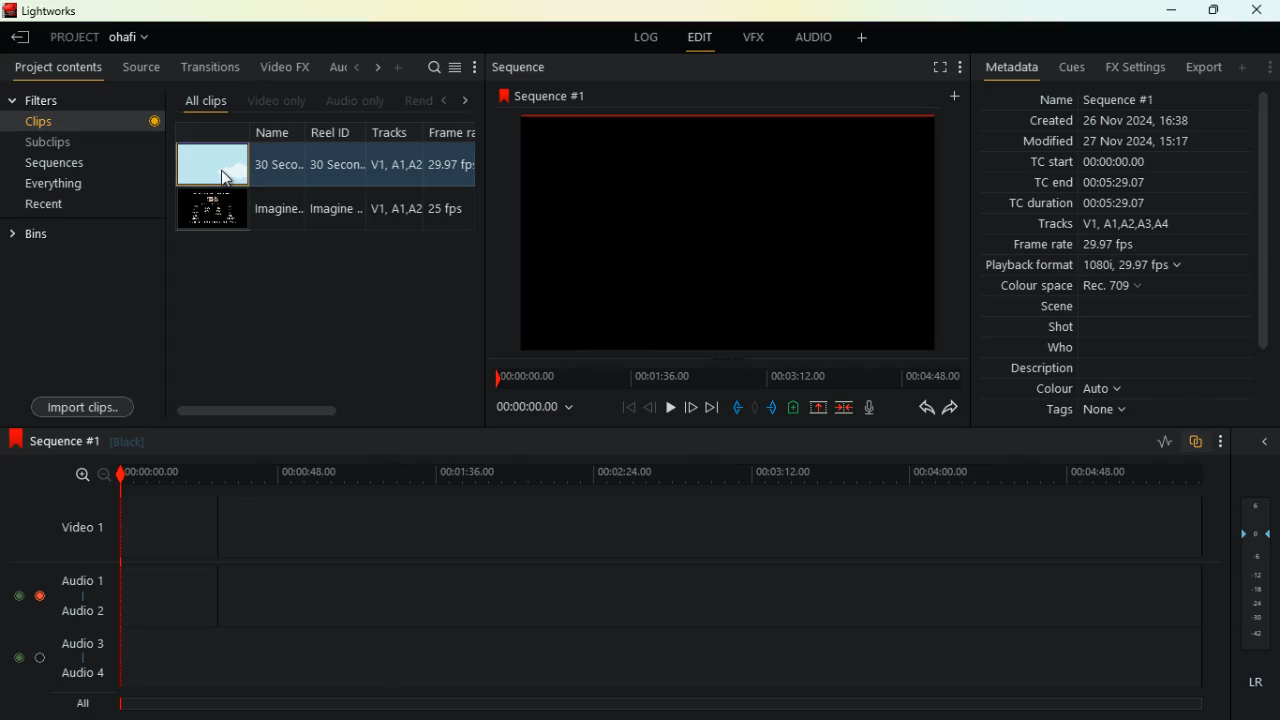  Describe the element at coordinates (1263, 230) in the screenshot. I see `scroll` at that location.